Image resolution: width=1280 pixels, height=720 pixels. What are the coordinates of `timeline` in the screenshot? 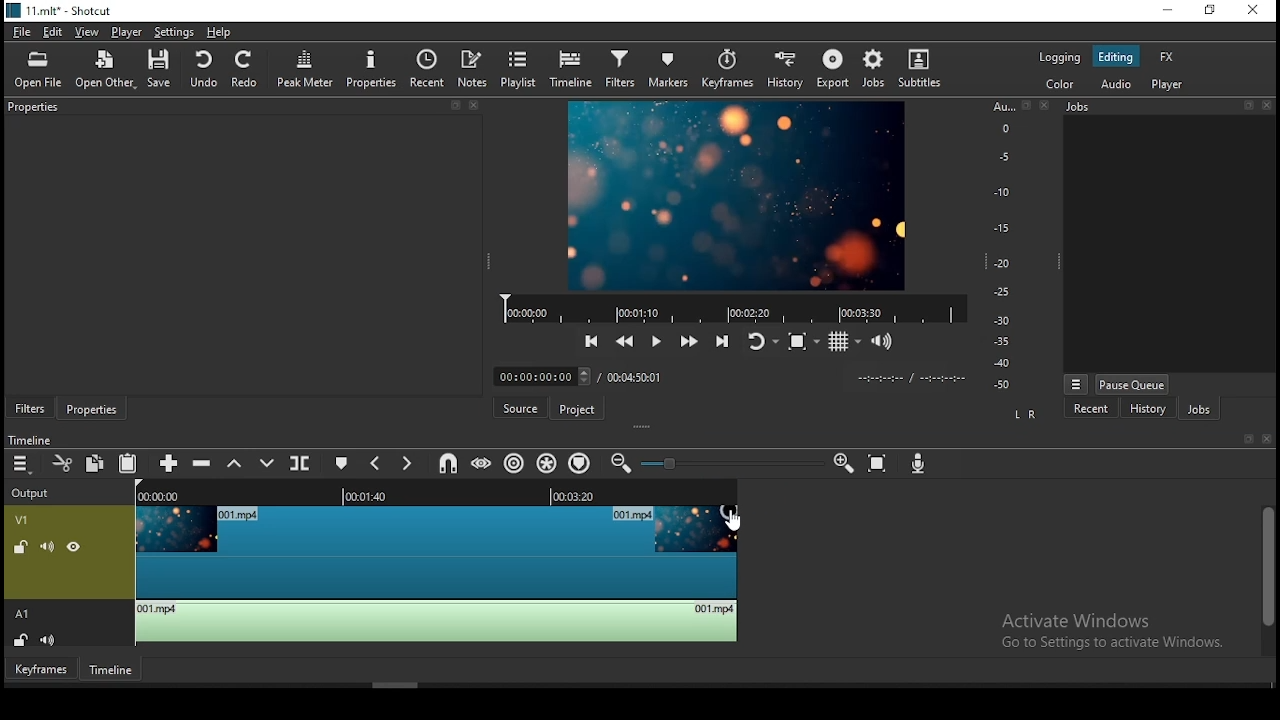 It's located at (29, 440).